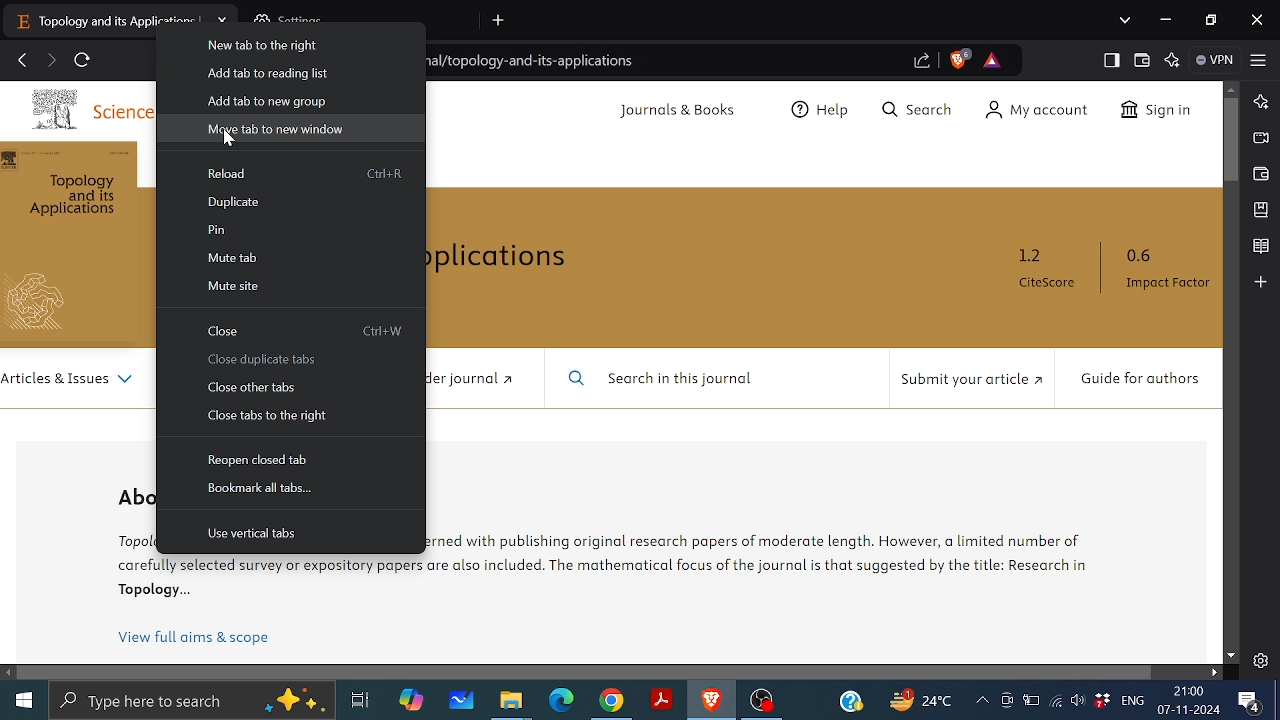 This screenshot has height=720, width=1280. I want to click on restore down, so click(1210, 19).